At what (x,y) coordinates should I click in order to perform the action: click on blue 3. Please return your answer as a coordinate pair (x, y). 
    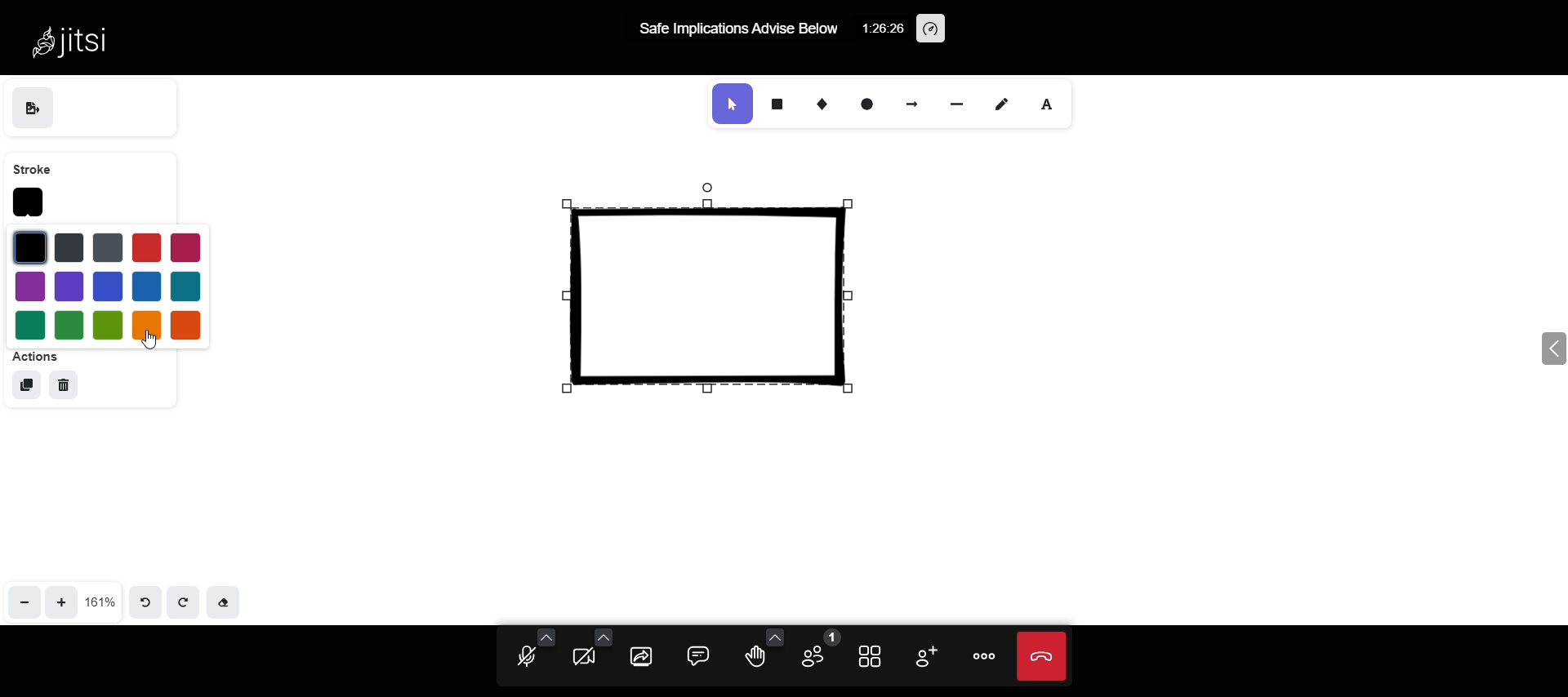
    Looking at the image, I should click on (189, 288).